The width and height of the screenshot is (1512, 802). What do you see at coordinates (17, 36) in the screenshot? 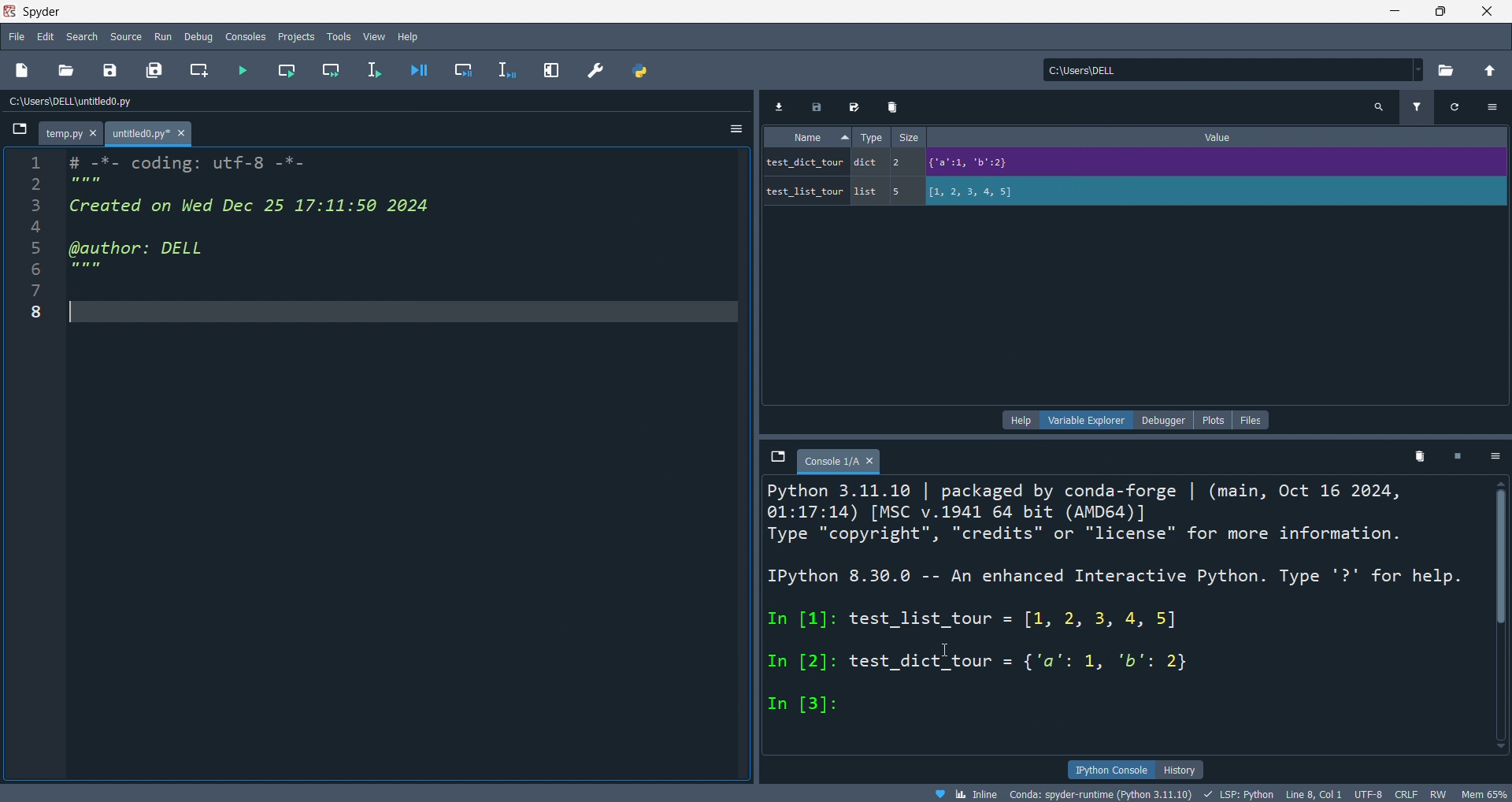
I see `file` at bounding box center [17, 36].